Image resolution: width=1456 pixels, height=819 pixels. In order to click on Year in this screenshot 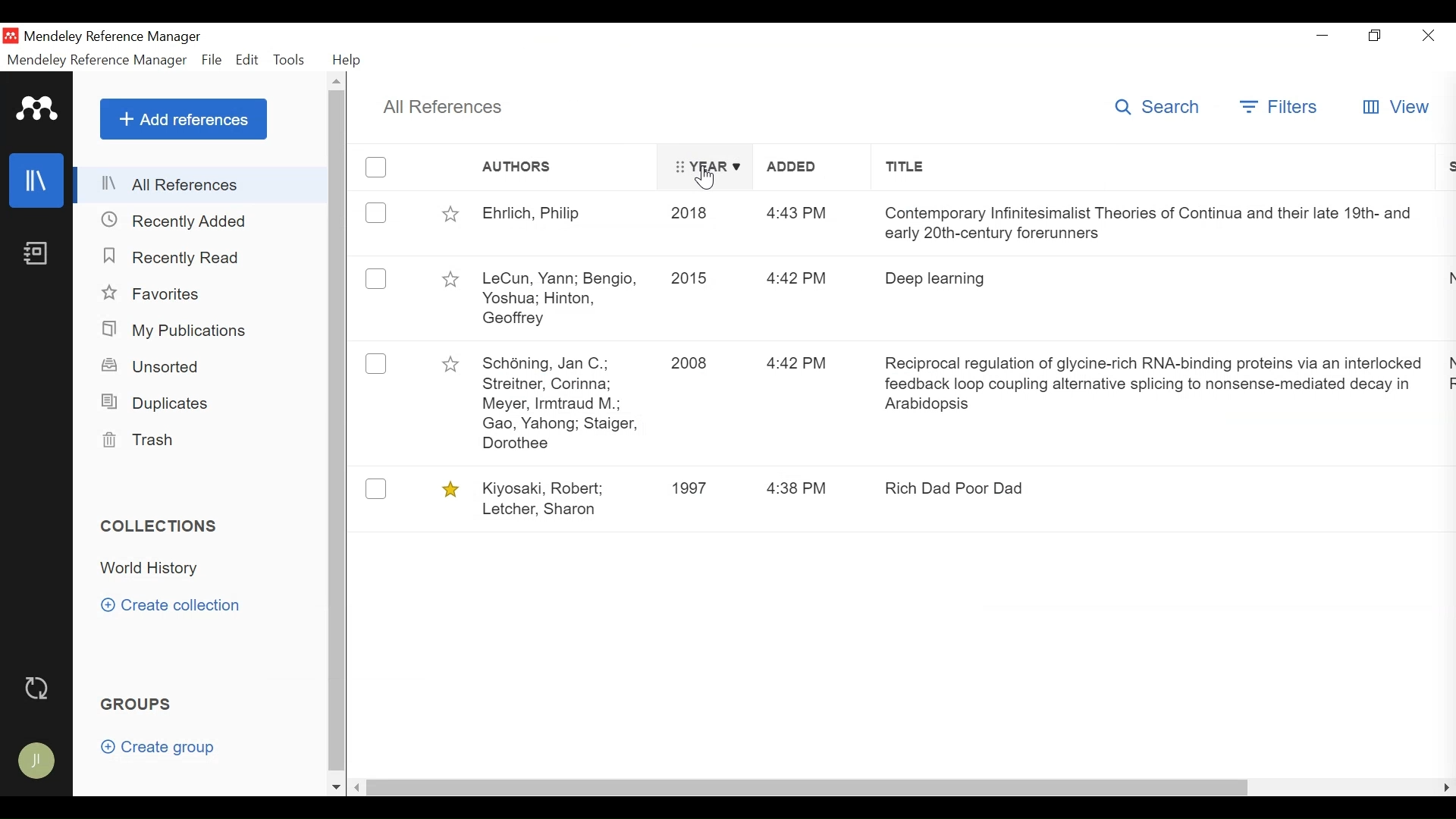, I will do `click(704, 168)`.